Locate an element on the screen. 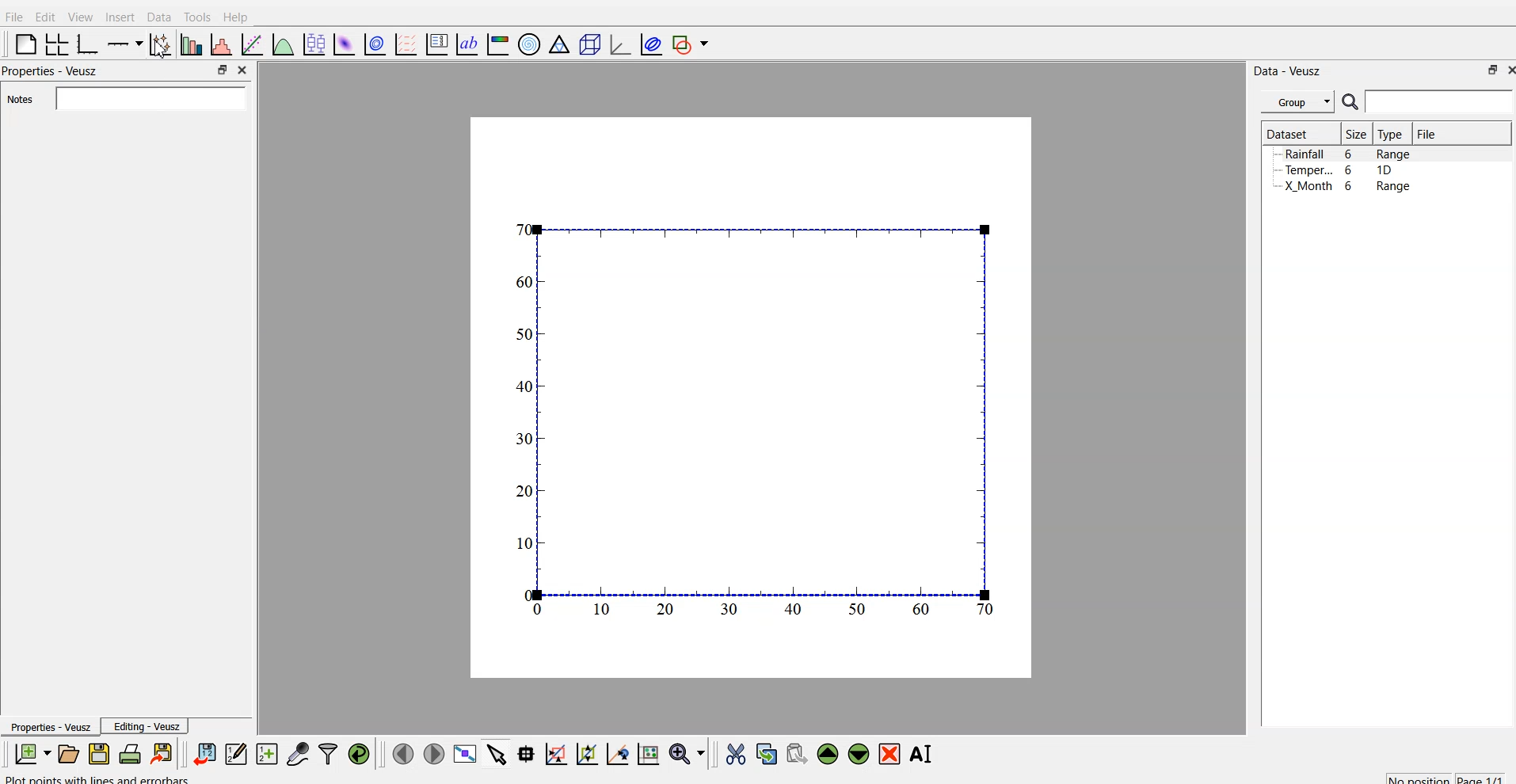  paste the widget from the clipboard is located at coordinates (796, 753).